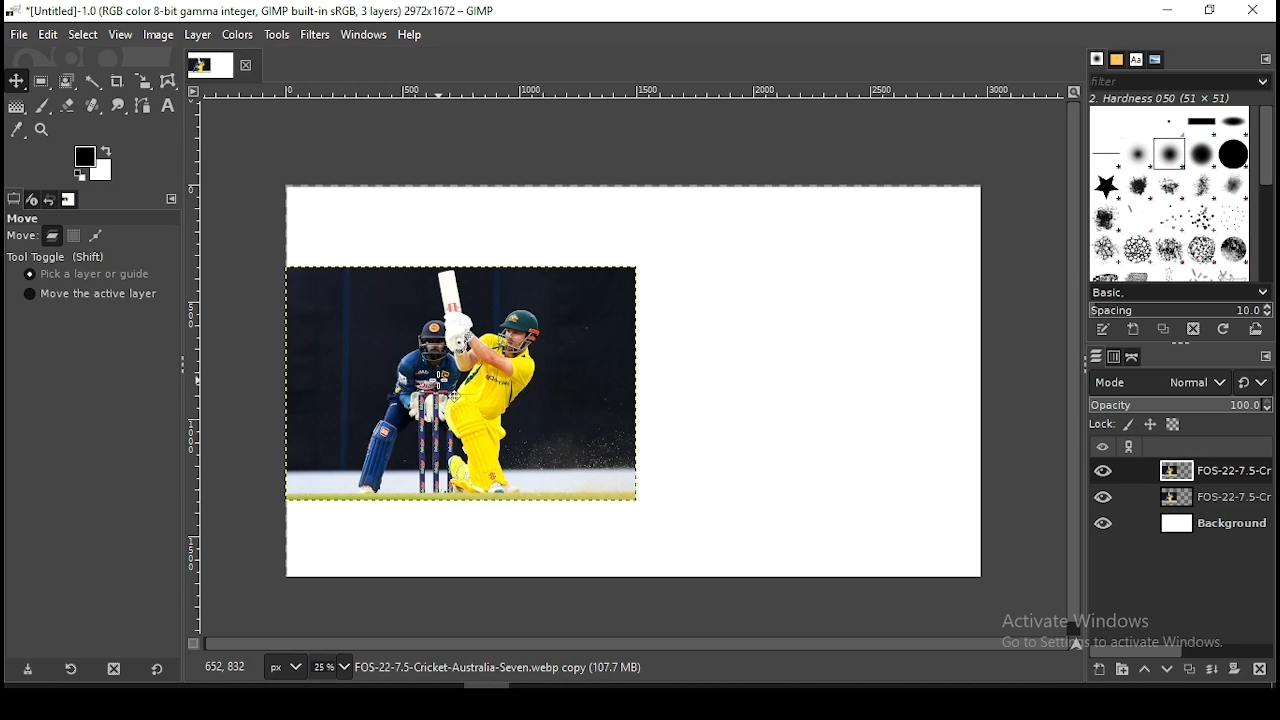 The width and height of the screenshot is (1280, 720). What do you see at coordinates (1105, 497) in the screenshot?
I see `layer visibility on/off` at bounding box center [1105, 497].